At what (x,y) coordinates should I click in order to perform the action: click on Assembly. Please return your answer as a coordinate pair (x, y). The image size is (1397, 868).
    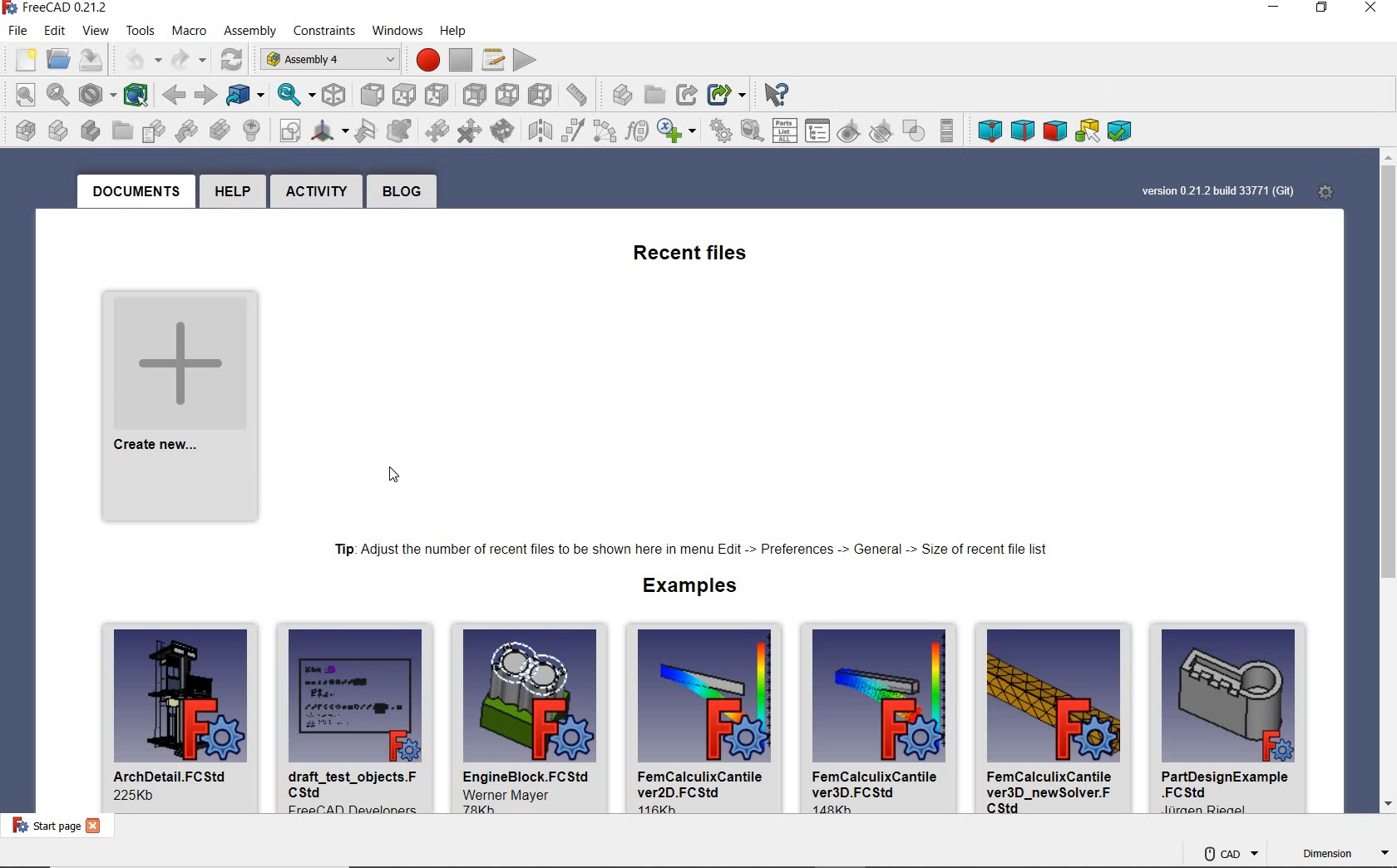
    Looking at the image, I should click on (248, 27).